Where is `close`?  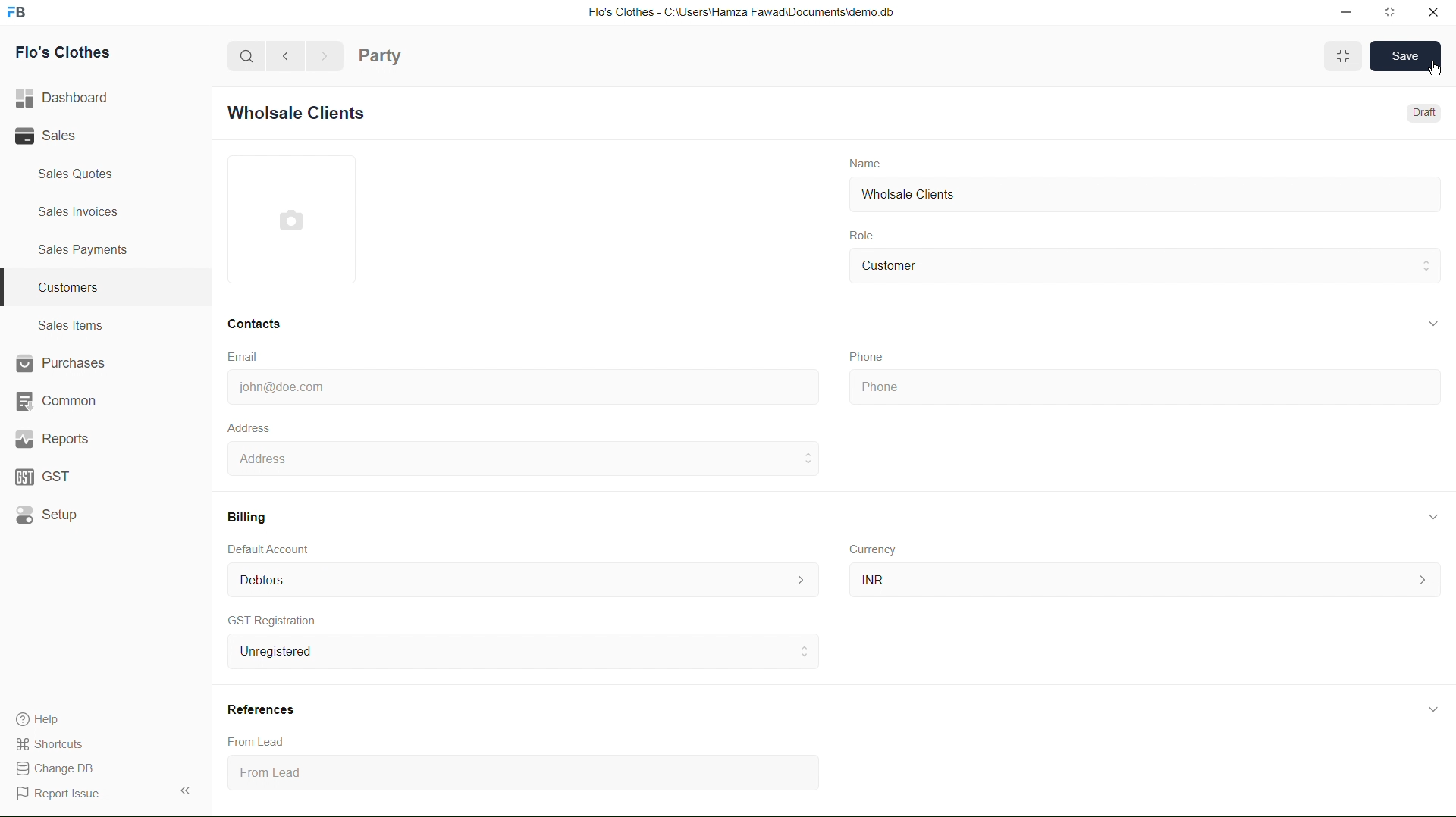 close is located at coordinates (1429, 13).